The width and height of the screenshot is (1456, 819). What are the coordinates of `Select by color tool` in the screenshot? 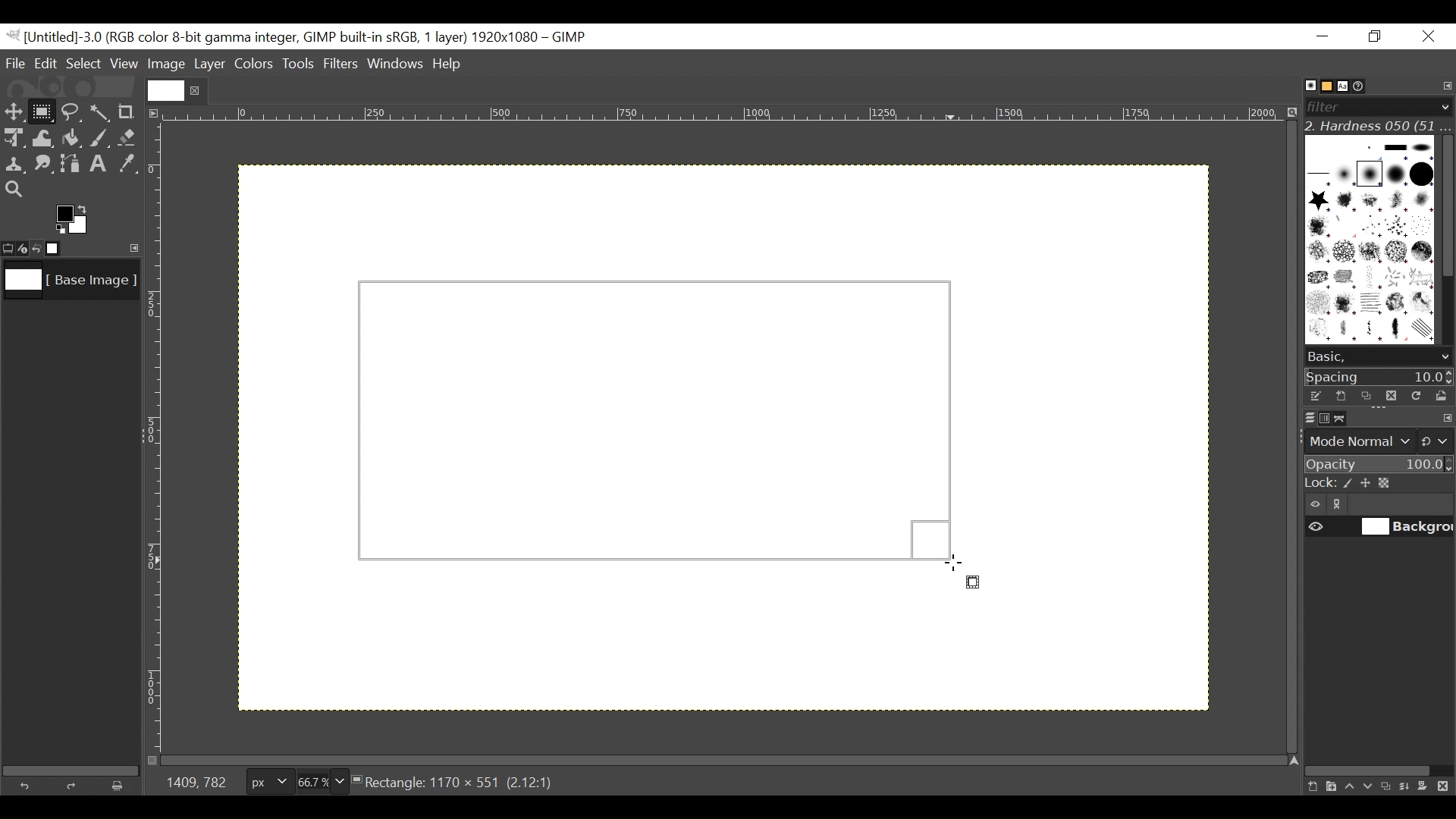 It's located at (102, 111).